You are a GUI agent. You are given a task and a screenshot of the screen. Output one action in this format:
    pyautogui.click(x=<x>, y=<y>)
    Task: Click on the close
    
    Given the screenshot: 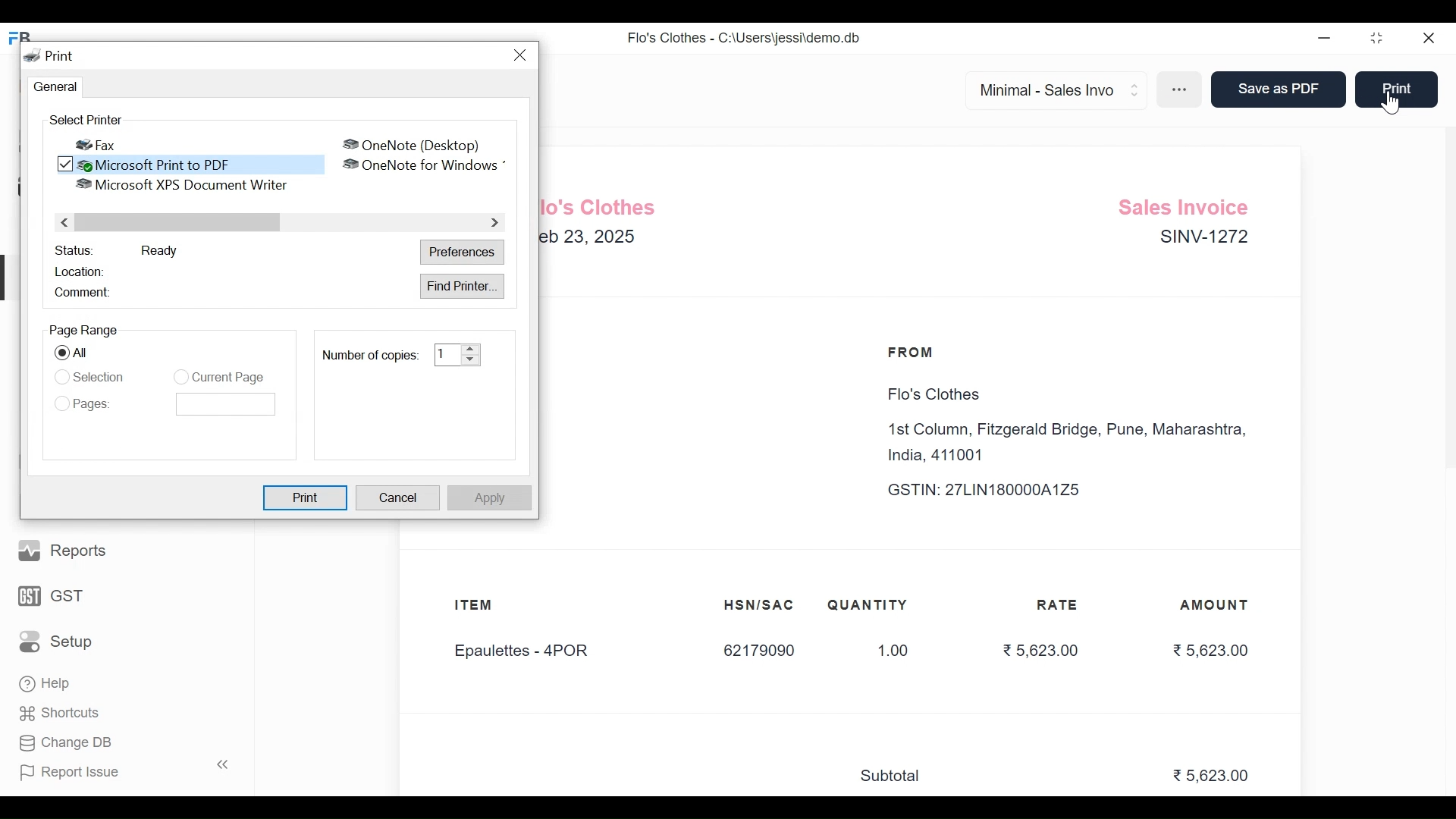 What is the action you would take?
    pyautogui.click(x=523, y=55)
    